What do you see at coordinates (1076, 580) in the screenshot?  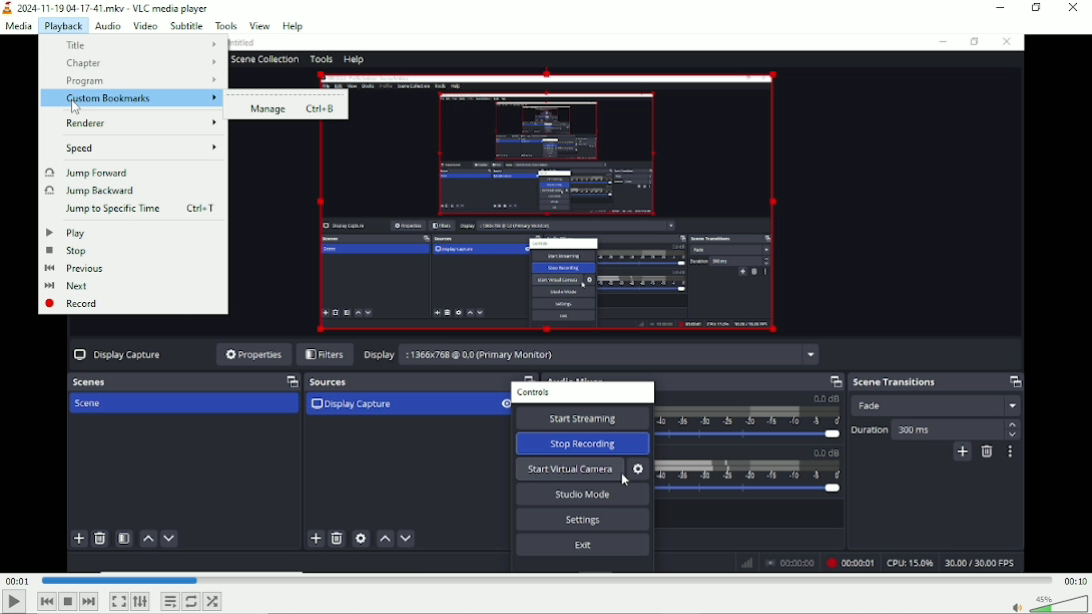 I see `00:10` at bounding box center [1076, 580].